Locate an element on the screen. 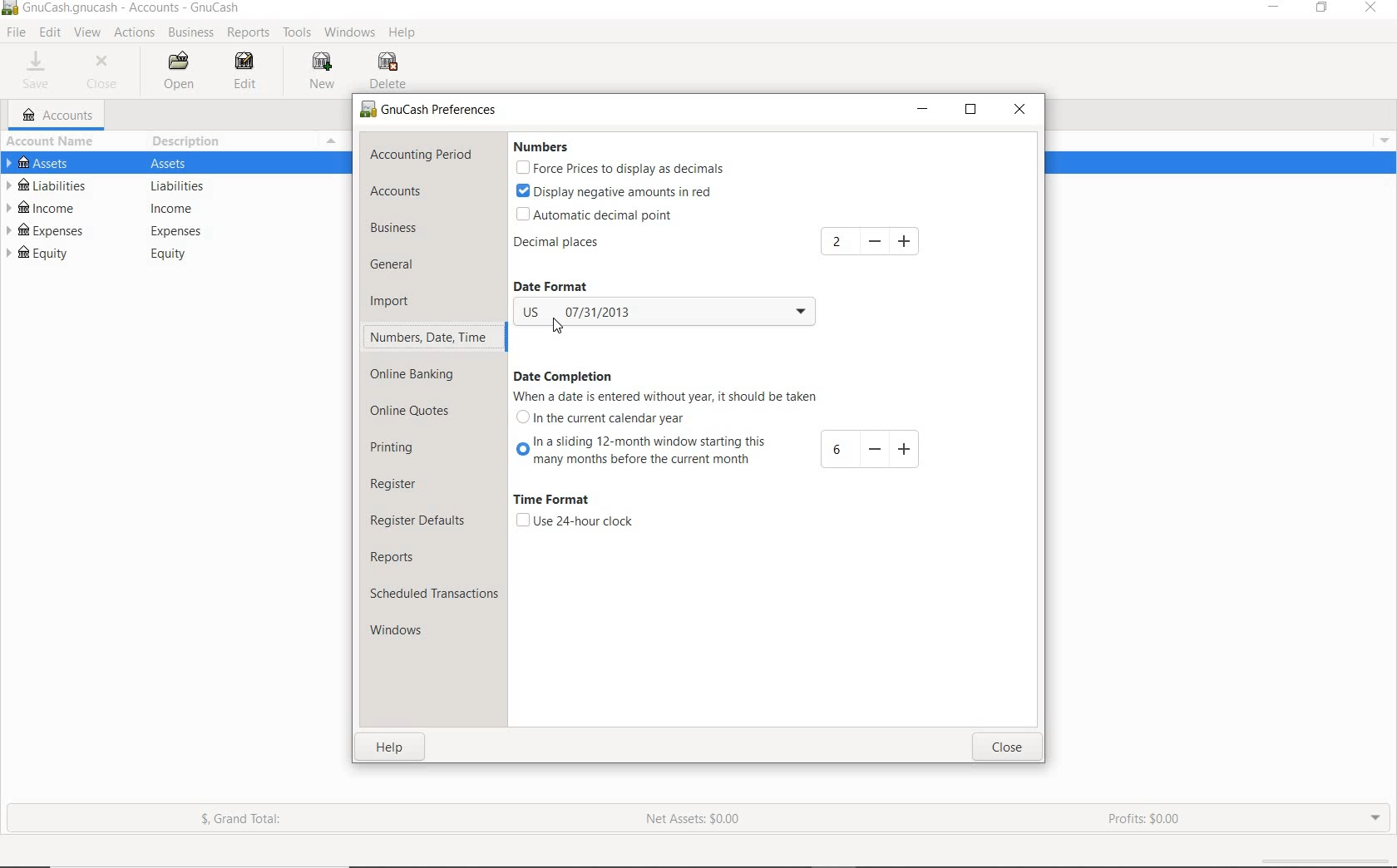  business is located at coordinates (417, 230).